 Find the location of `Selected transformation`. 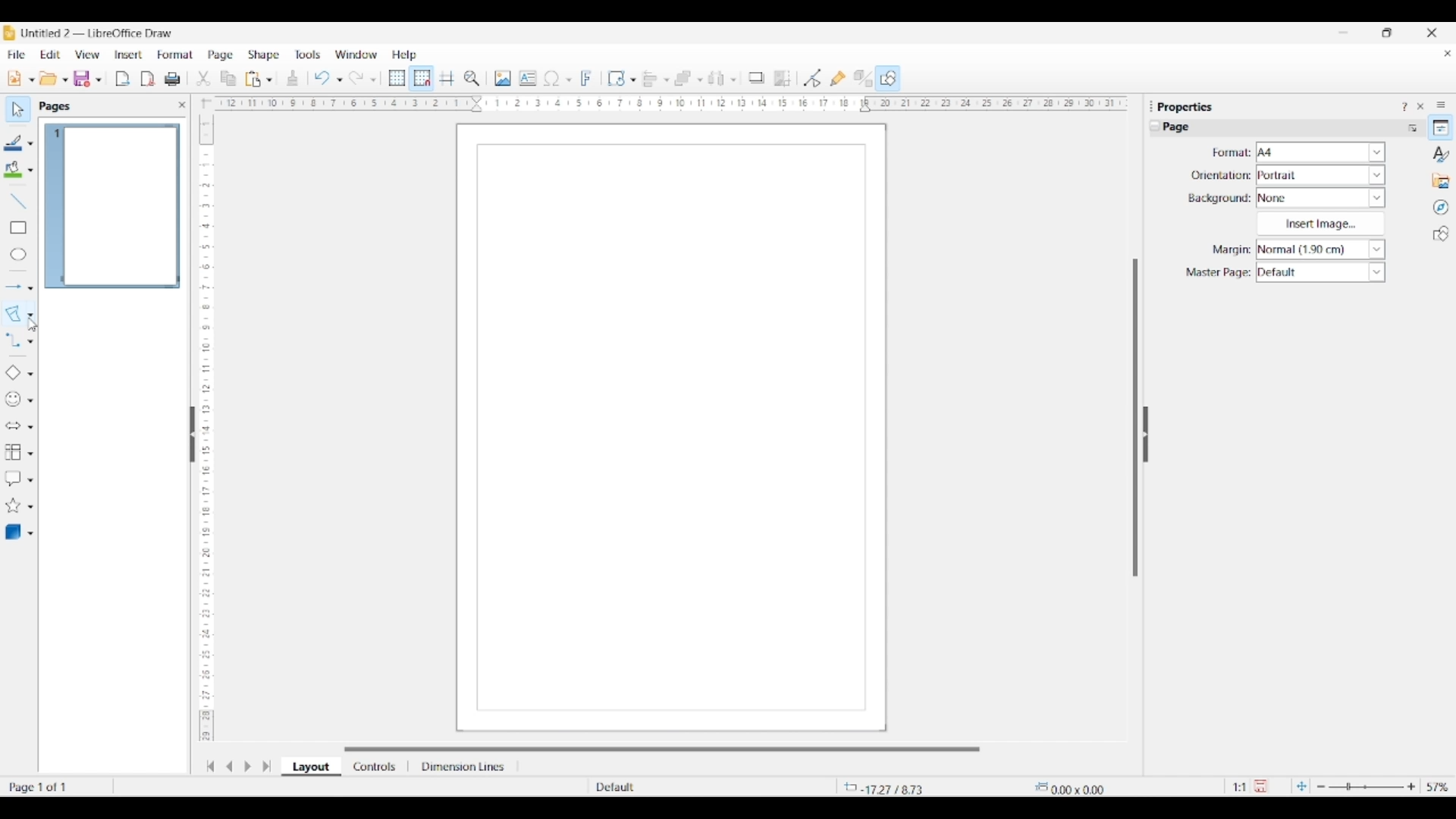

Selected transformation is located at coordinates (613, 77).